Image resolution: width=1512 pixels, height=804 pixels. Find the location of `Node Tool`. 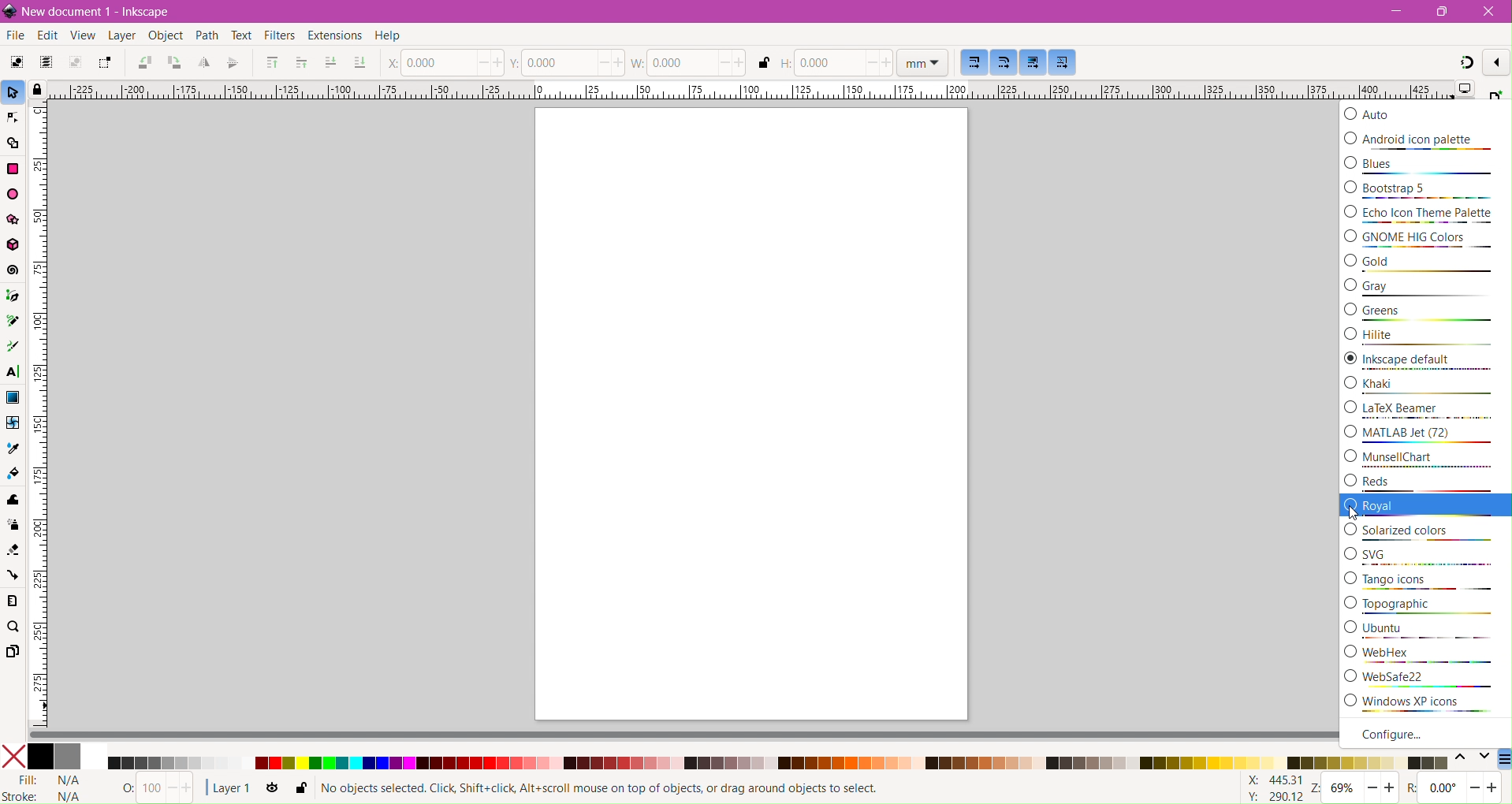

Node Tool is located at coordinates (13, 118).